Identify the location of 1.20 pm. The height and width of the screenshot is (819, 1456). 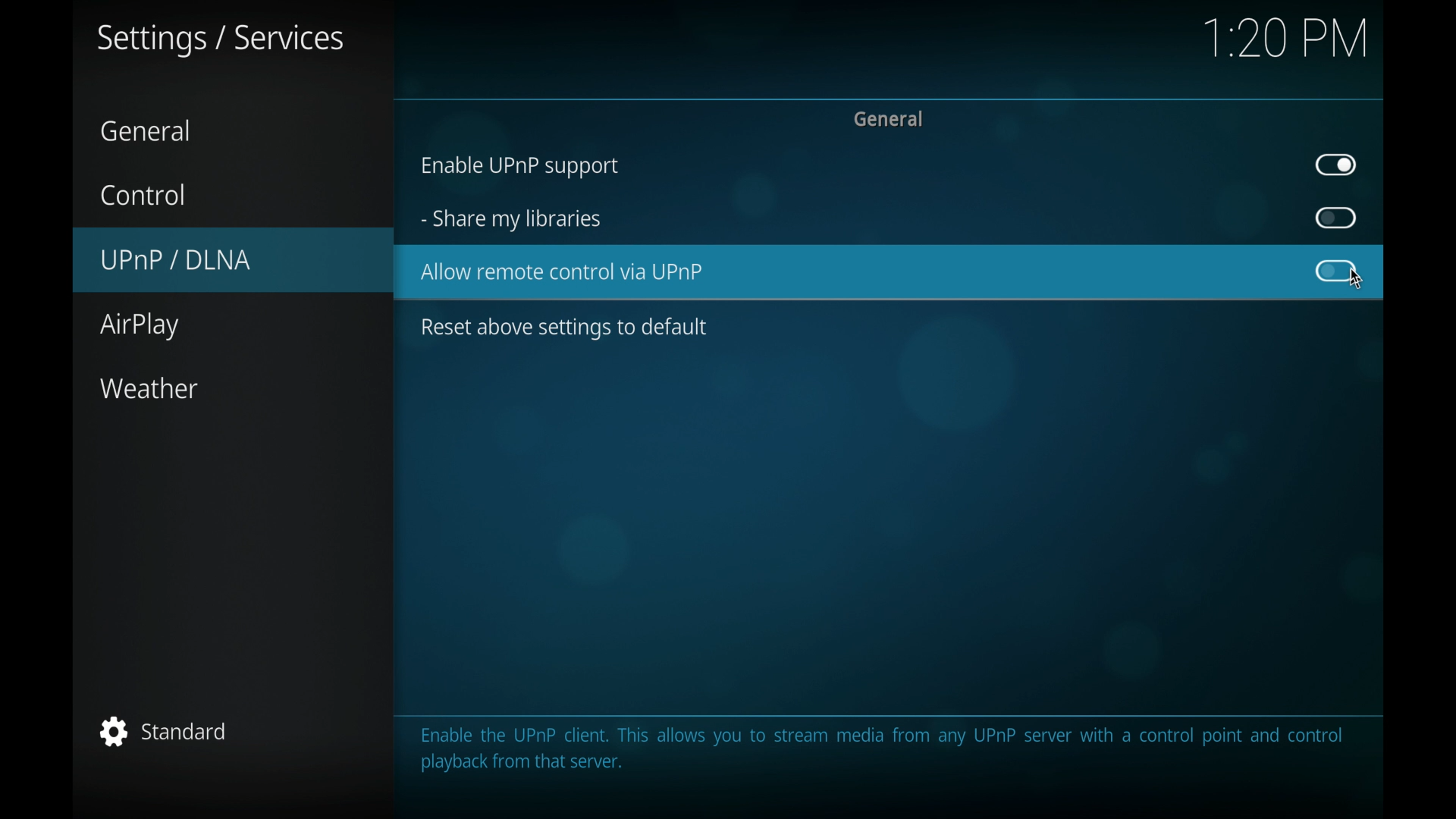
(1287, 40).